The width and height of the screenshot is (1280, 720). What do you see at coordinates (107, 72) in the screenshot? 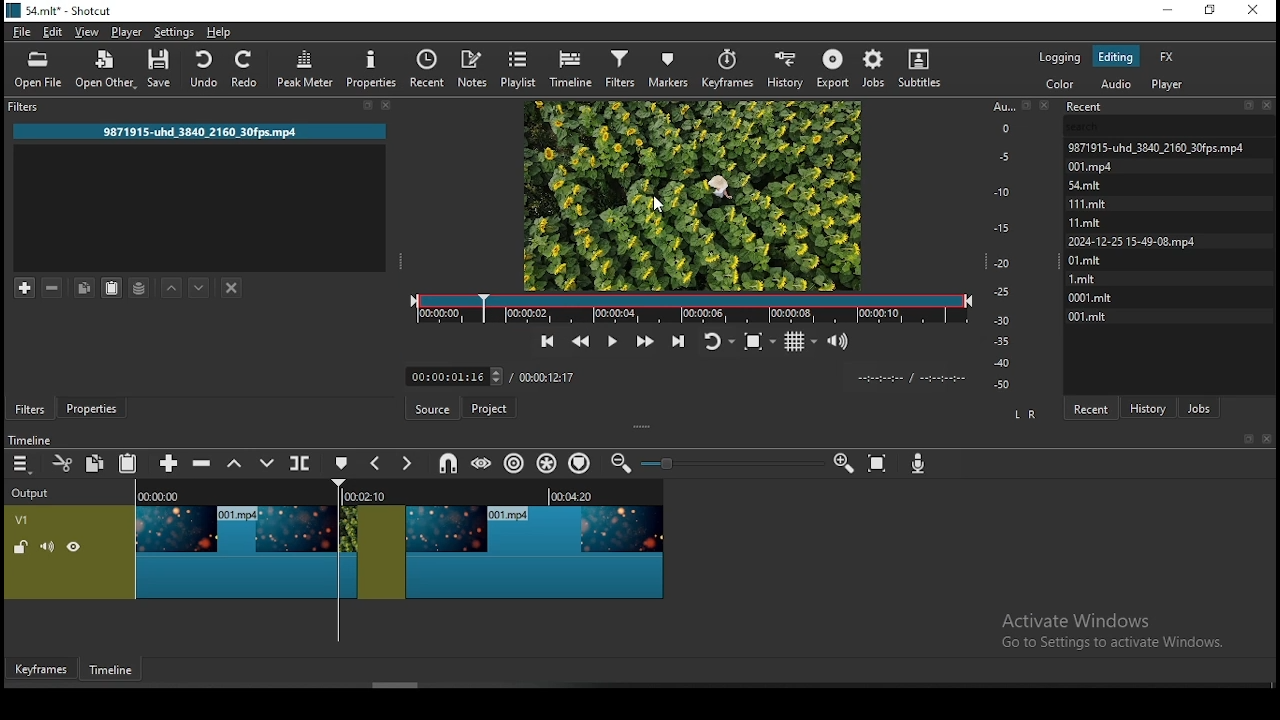
I see `open other` at bounding box center [107, 72].